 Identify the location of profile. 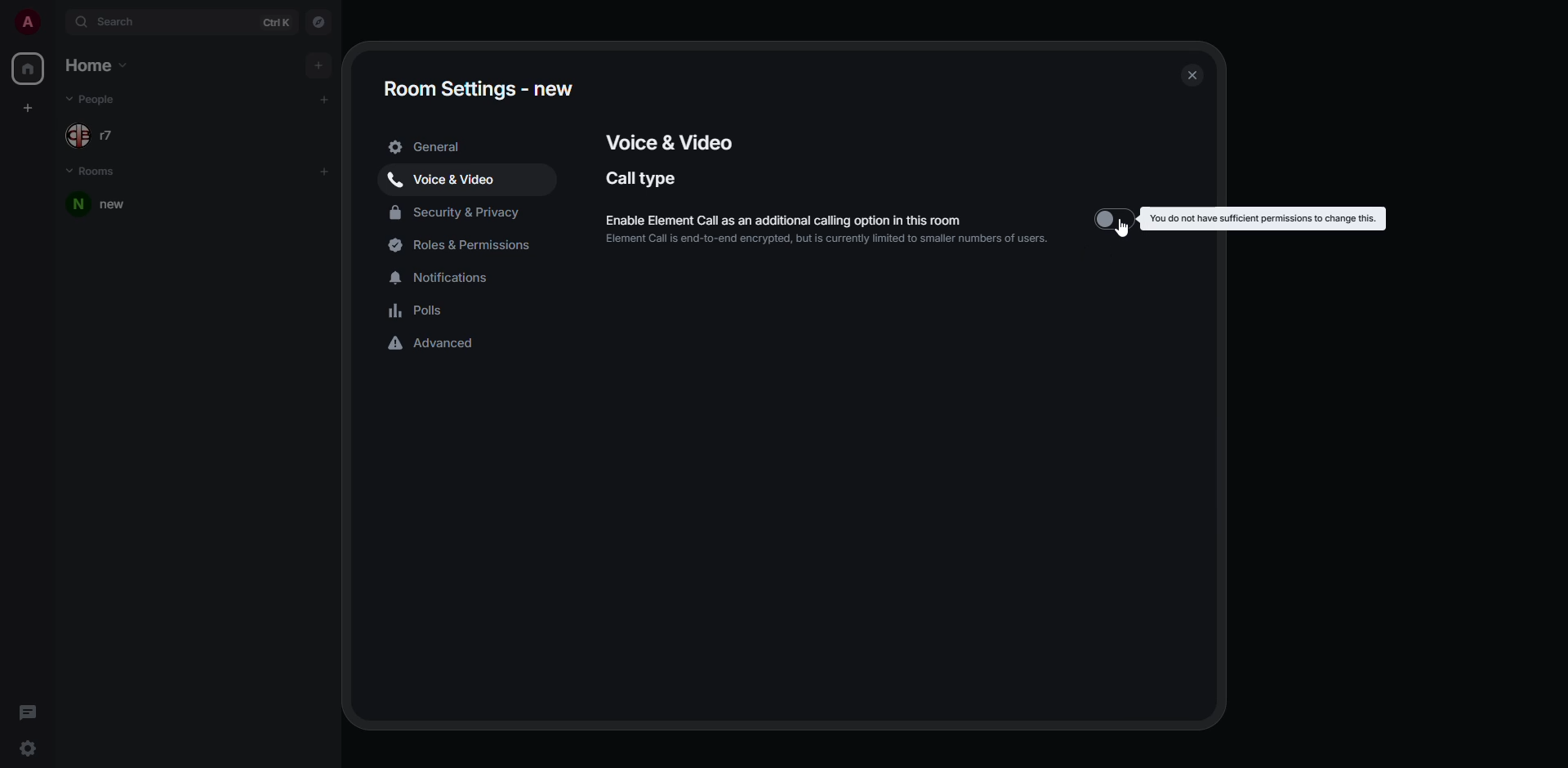
(27, 21).